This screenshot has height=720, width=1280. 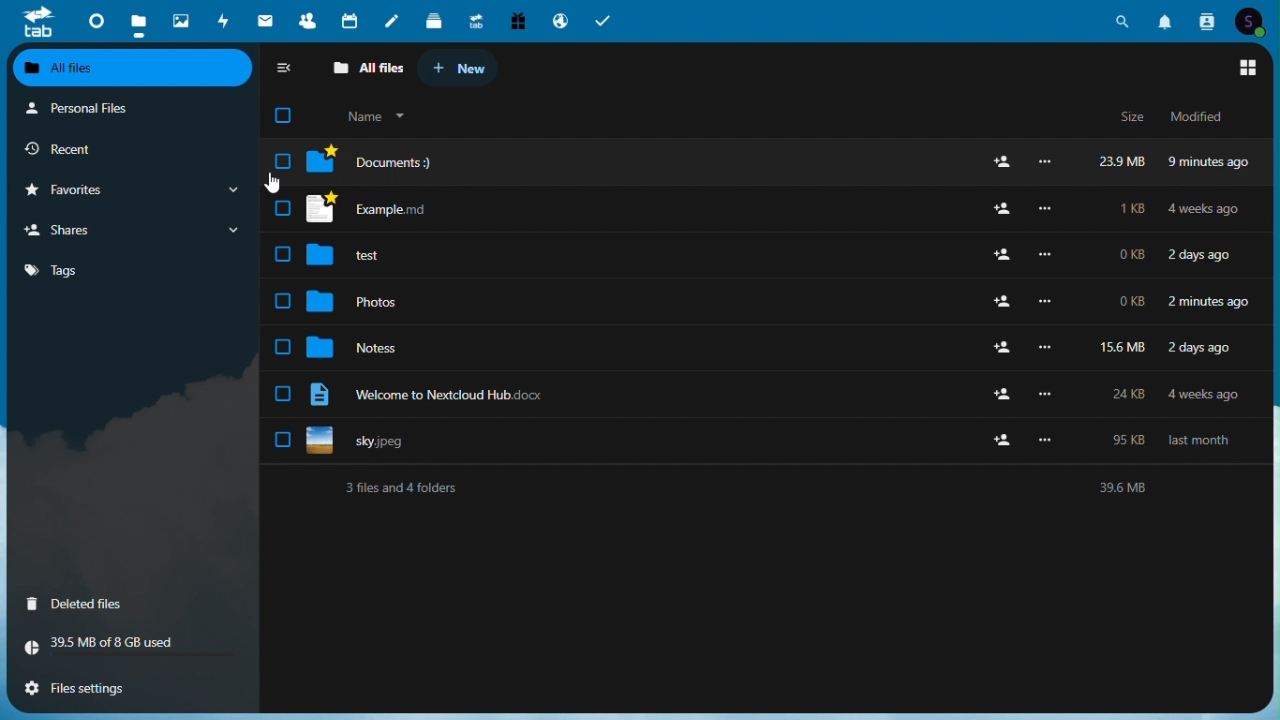 I want to click on select, so click(x=281, y=348).